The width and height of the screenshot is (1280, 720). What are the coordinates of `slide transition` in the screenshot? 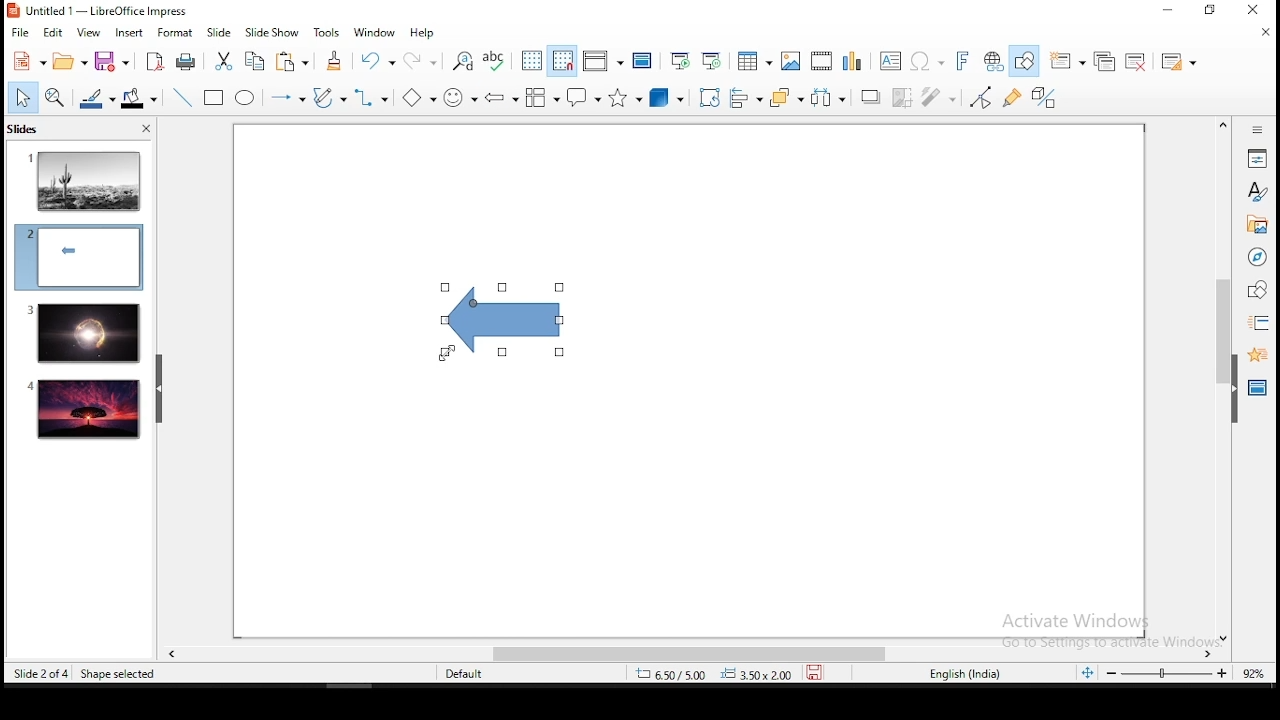 It's located at (1258, 324).